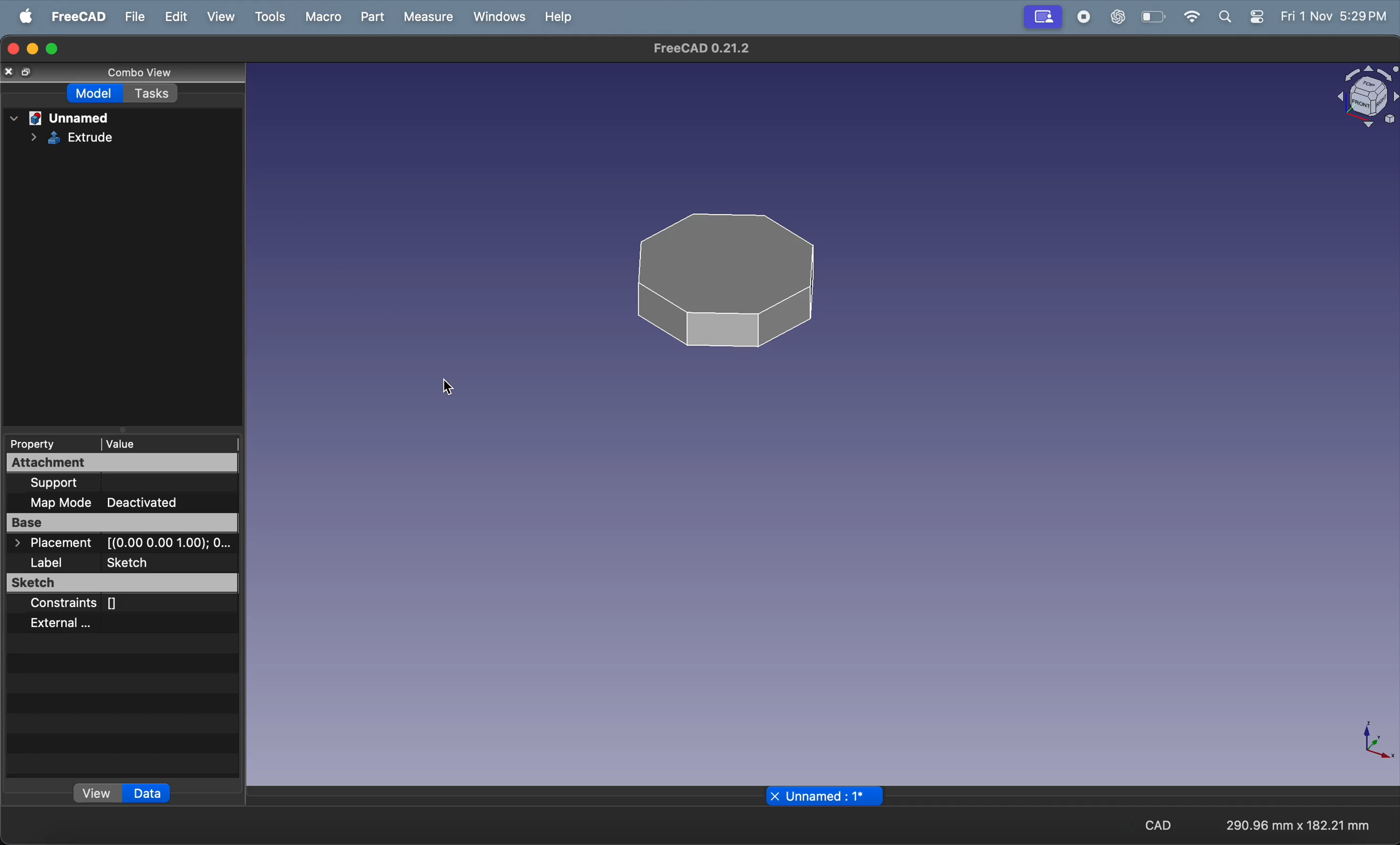 Image resolution: width=1400 pixels, height=845 pixels. I want to click on marco, so click(322, 18).